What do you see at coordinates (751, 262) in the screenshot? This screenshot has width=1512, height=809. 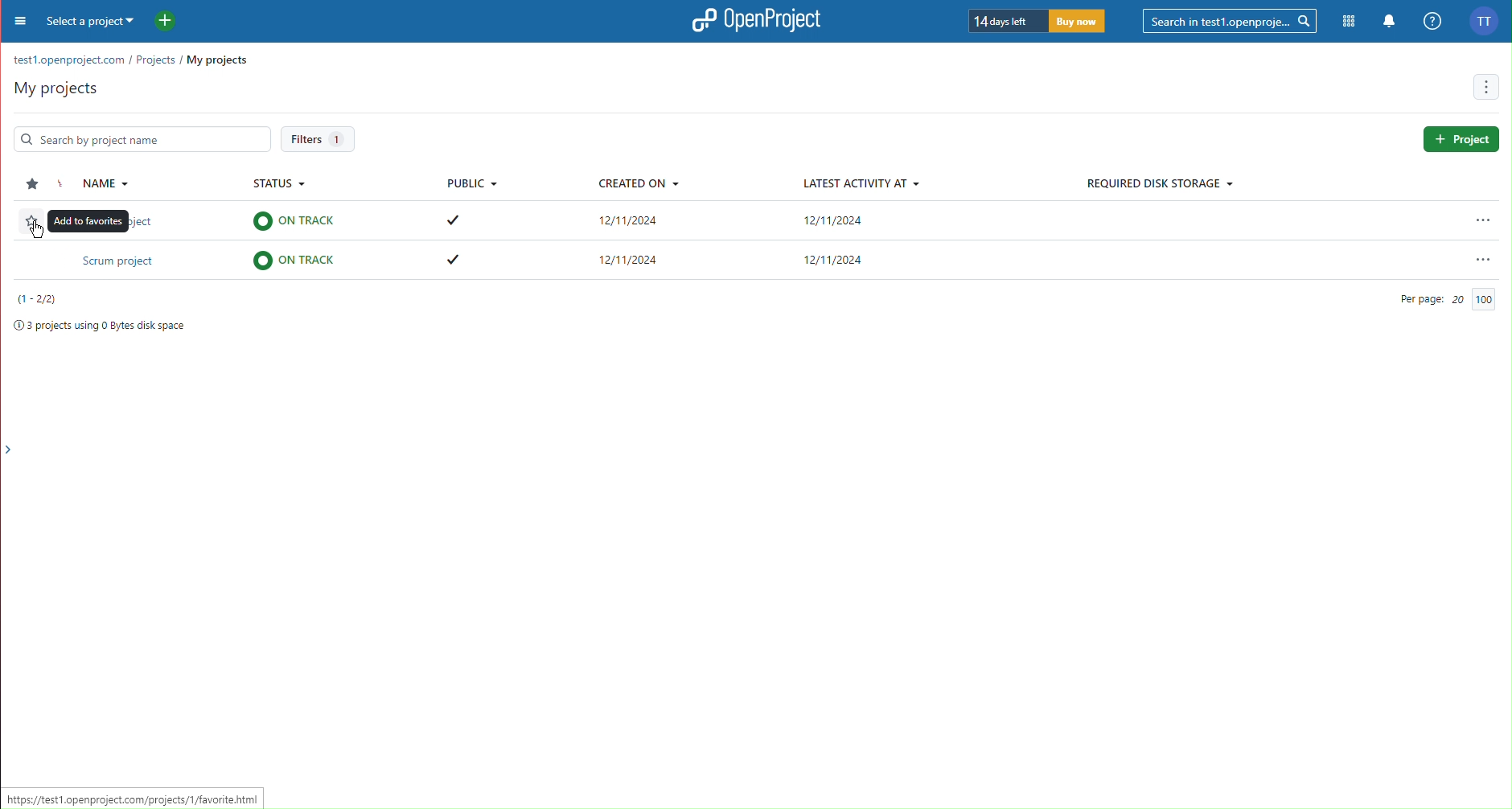 I see `Scrum Project` at bounding box center [751, 262].